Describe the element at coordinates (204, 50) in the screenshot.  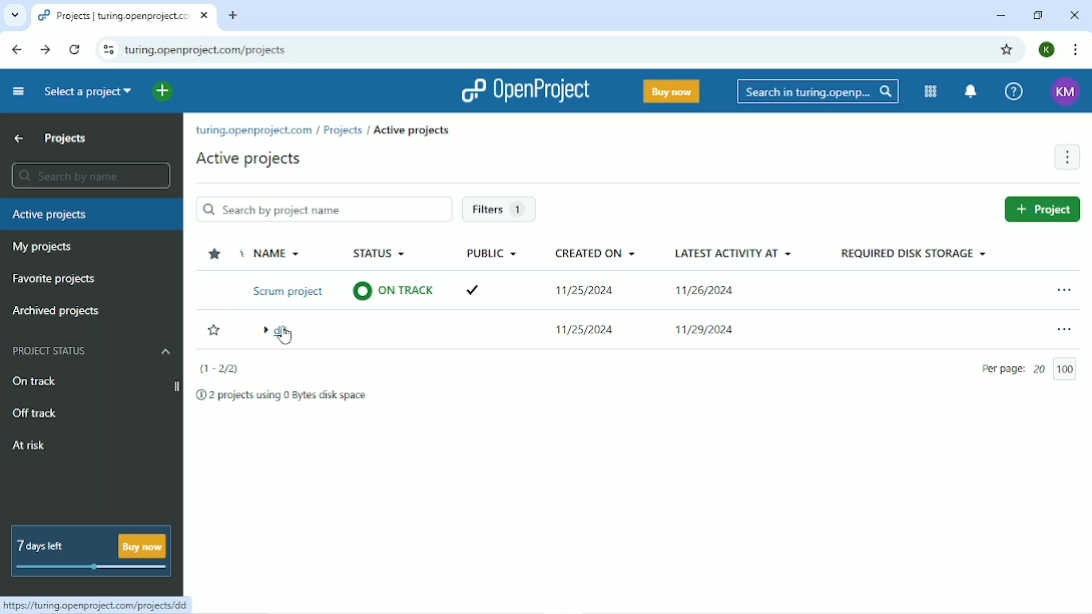
I see `Site` at that location.